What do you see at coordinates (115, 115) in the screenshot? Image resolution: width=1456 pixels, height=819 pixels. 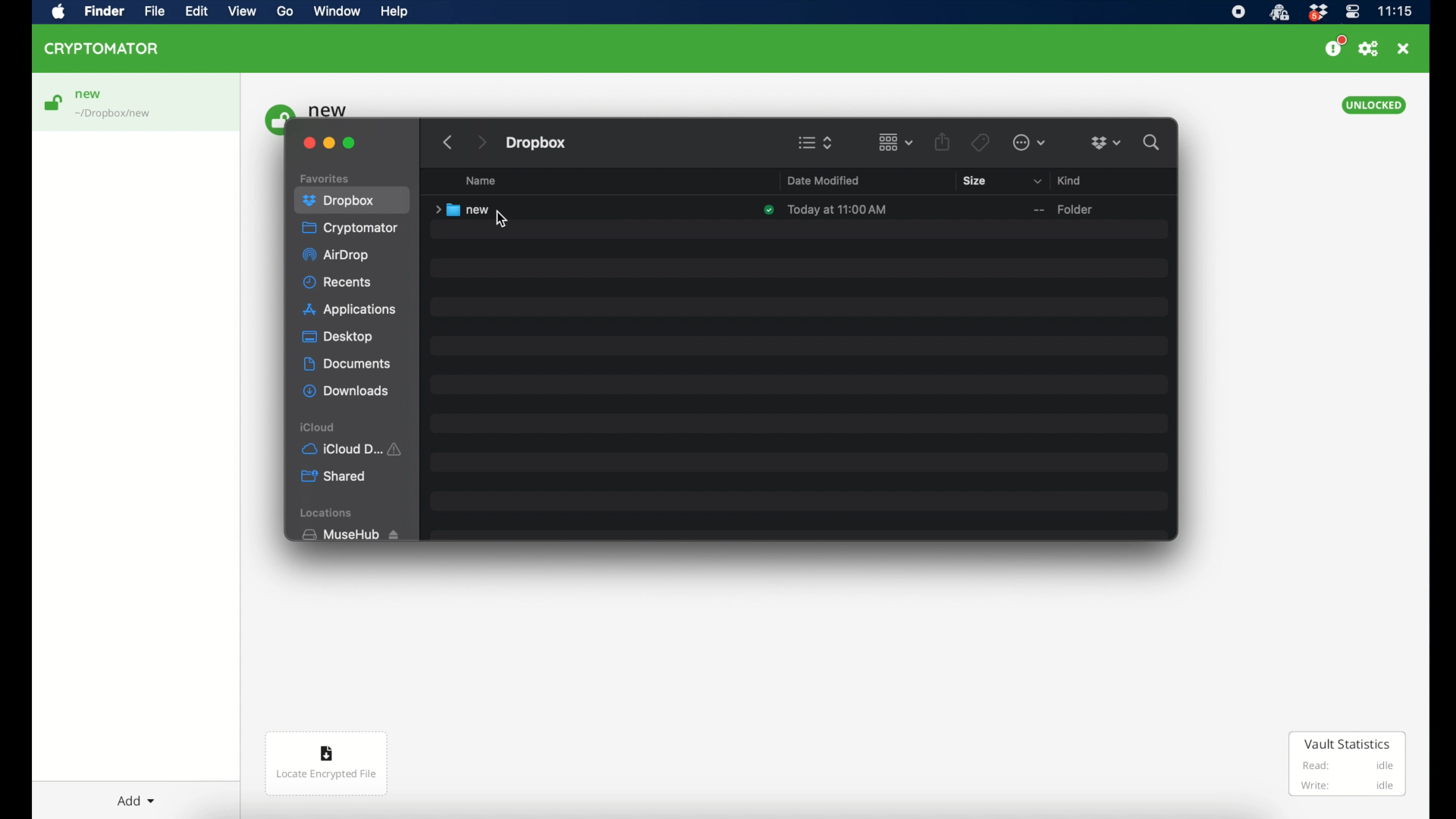 I see `location` at bounding box center [115, 115].